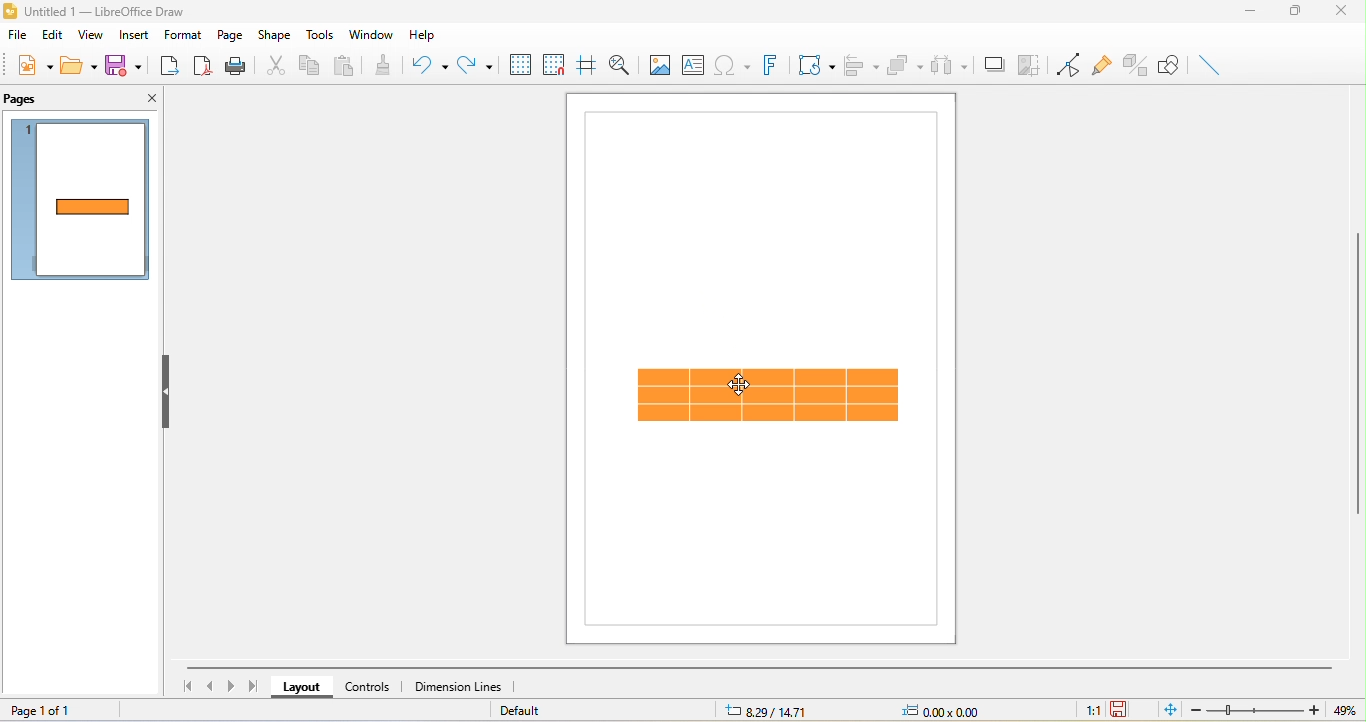 The width and height of the screenshot is (1366, 722). What do you see at coordinates (1136, 64) in the screenshot?
I see `toggle extrusion` at bounding box center [1136, 64].